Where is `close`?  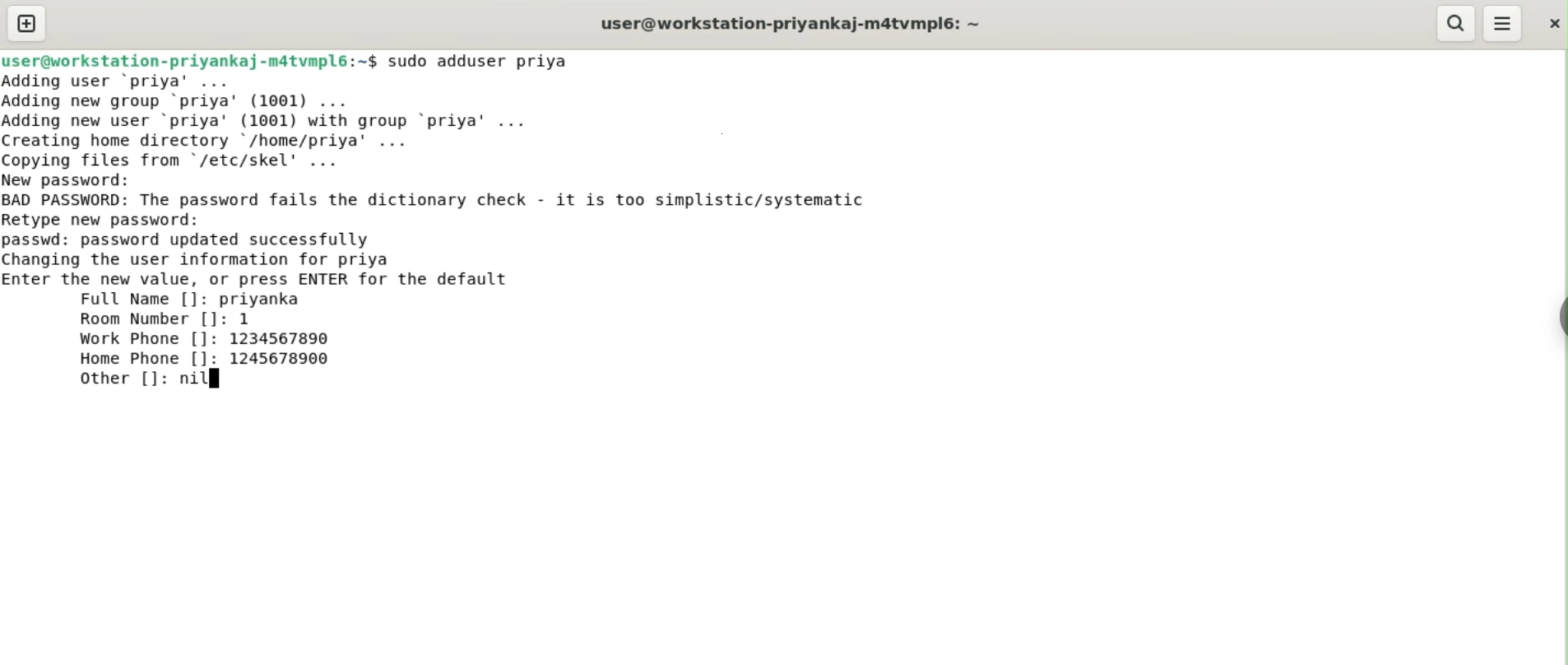 close is located at coordinates (1552, 19).